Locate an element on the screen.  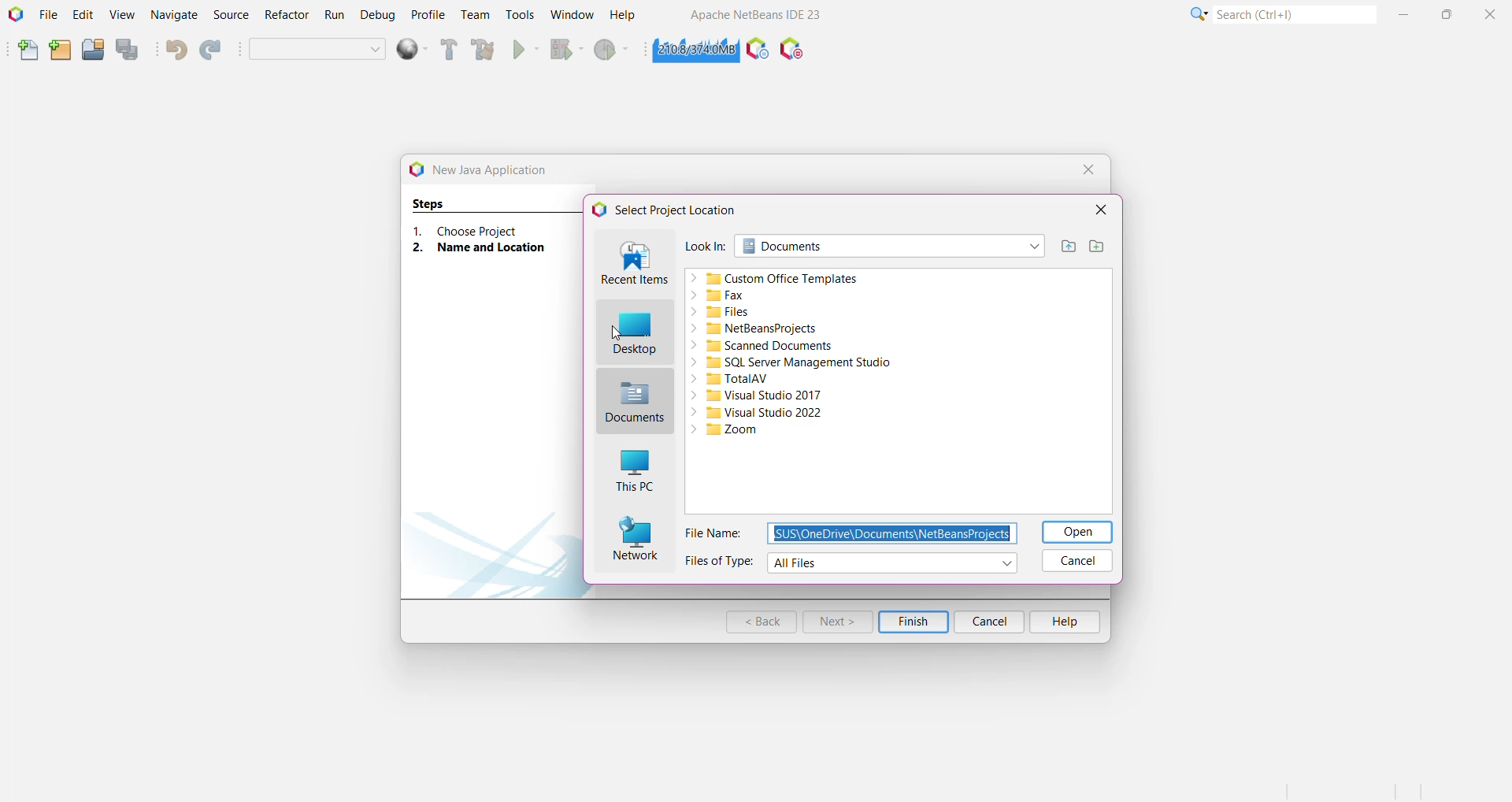
Create New Folder is located at coordinates (1097, 247).